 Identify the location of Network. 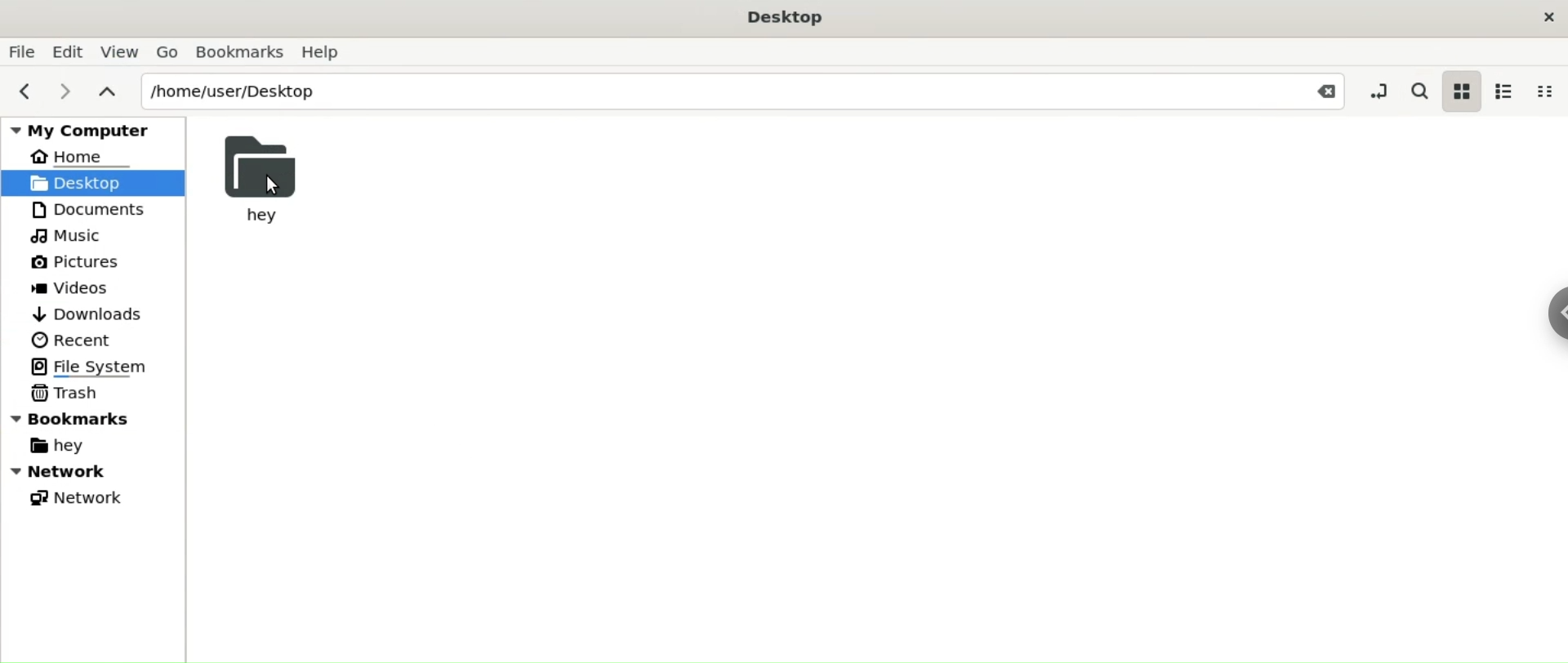
(95, 471).